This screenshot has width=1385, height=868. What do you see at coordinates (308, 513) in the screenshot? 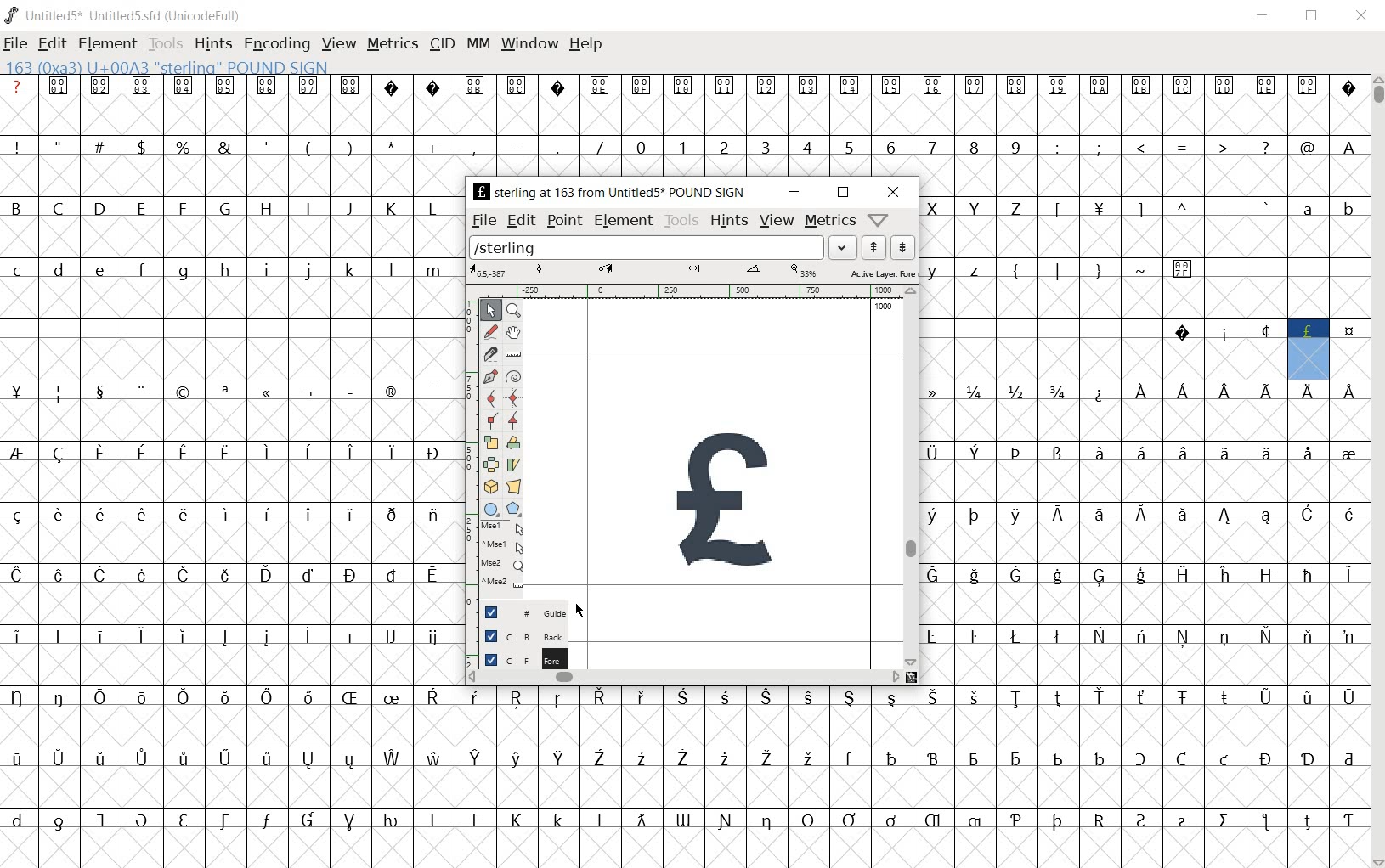
I see `Symbol` at bounding box center [308, 513].